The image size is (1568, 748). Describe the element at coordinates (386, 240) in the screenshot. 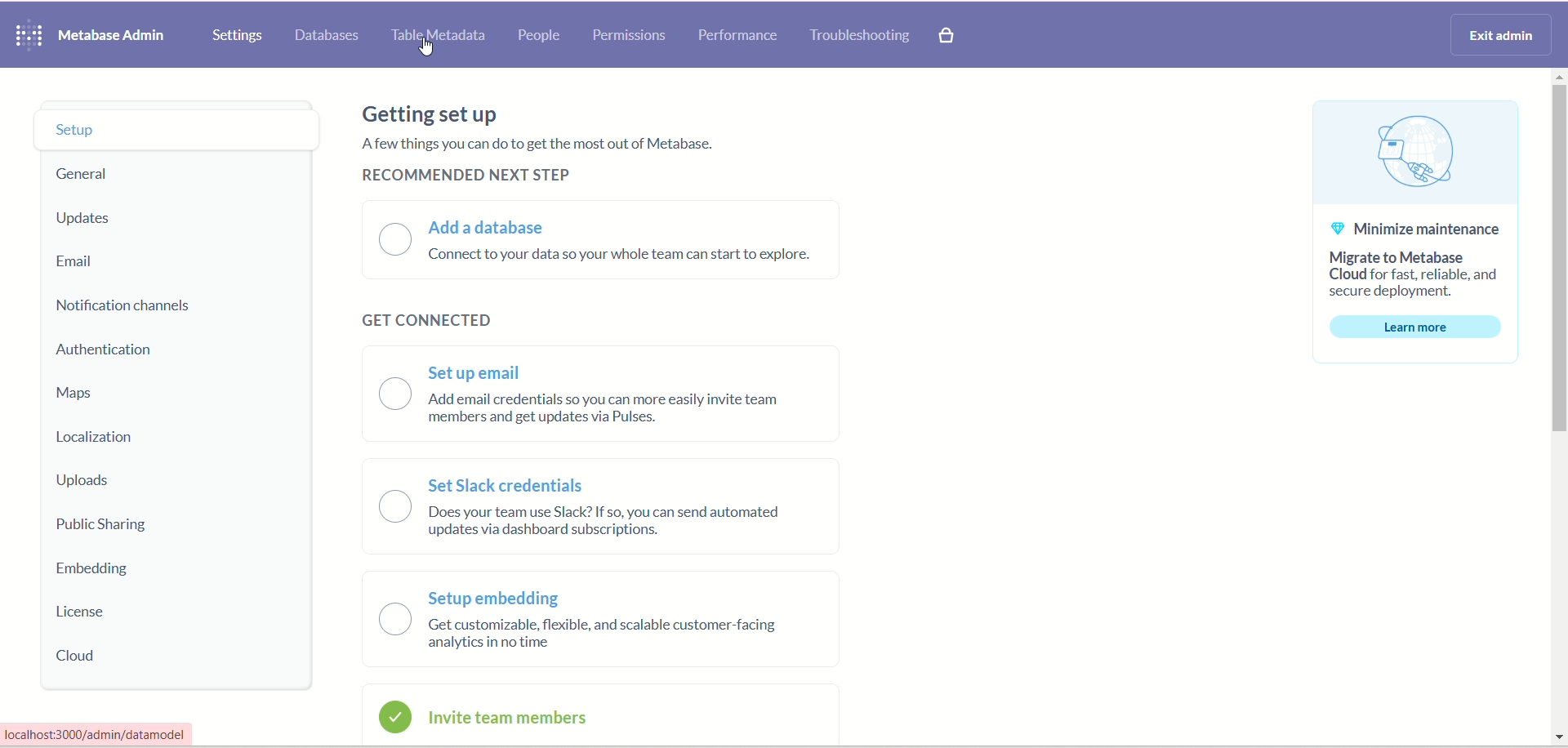

I see `add a database radio button` at that location.